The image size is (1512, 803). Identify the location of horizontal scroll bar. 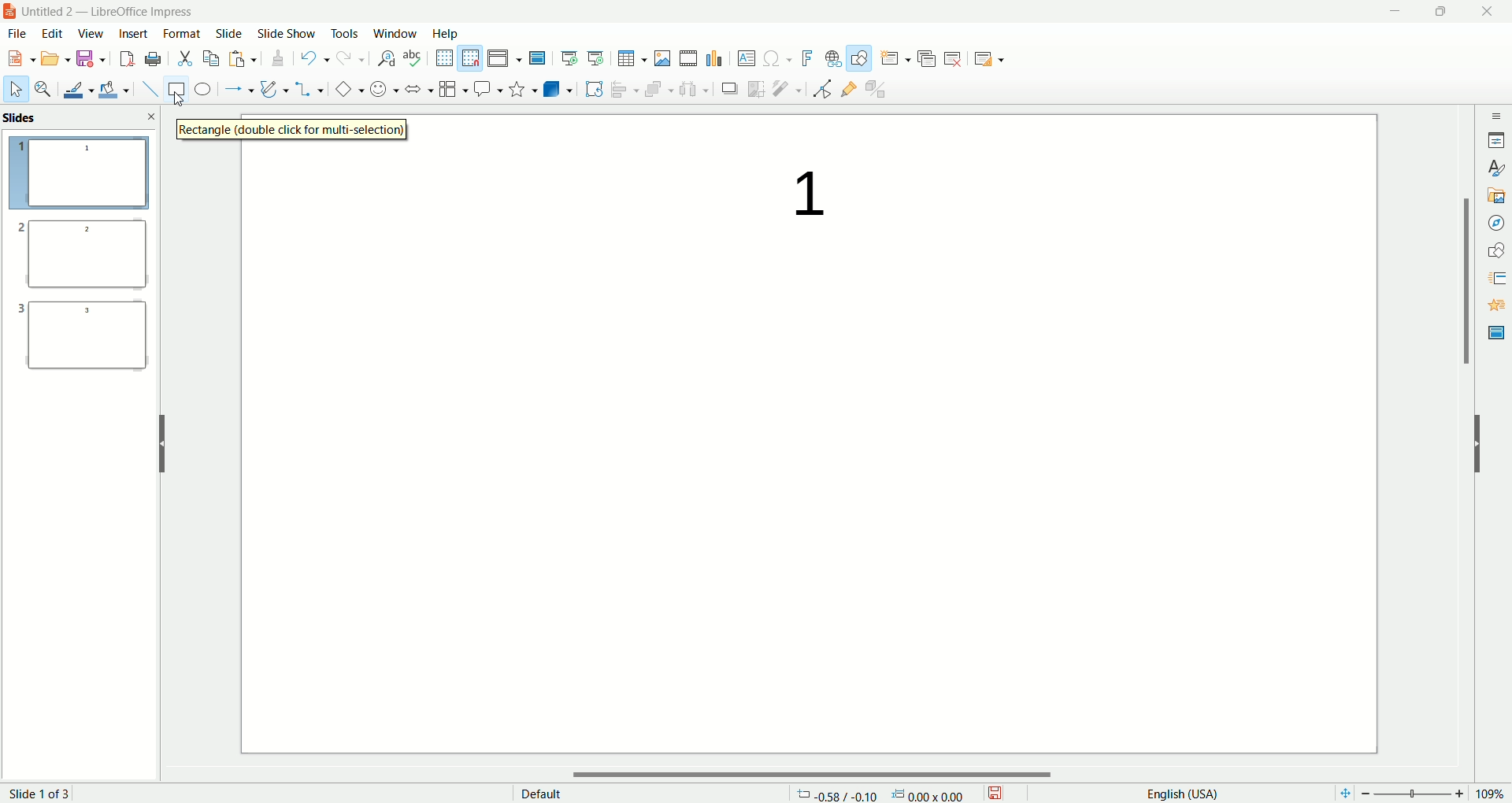
(818, 774).